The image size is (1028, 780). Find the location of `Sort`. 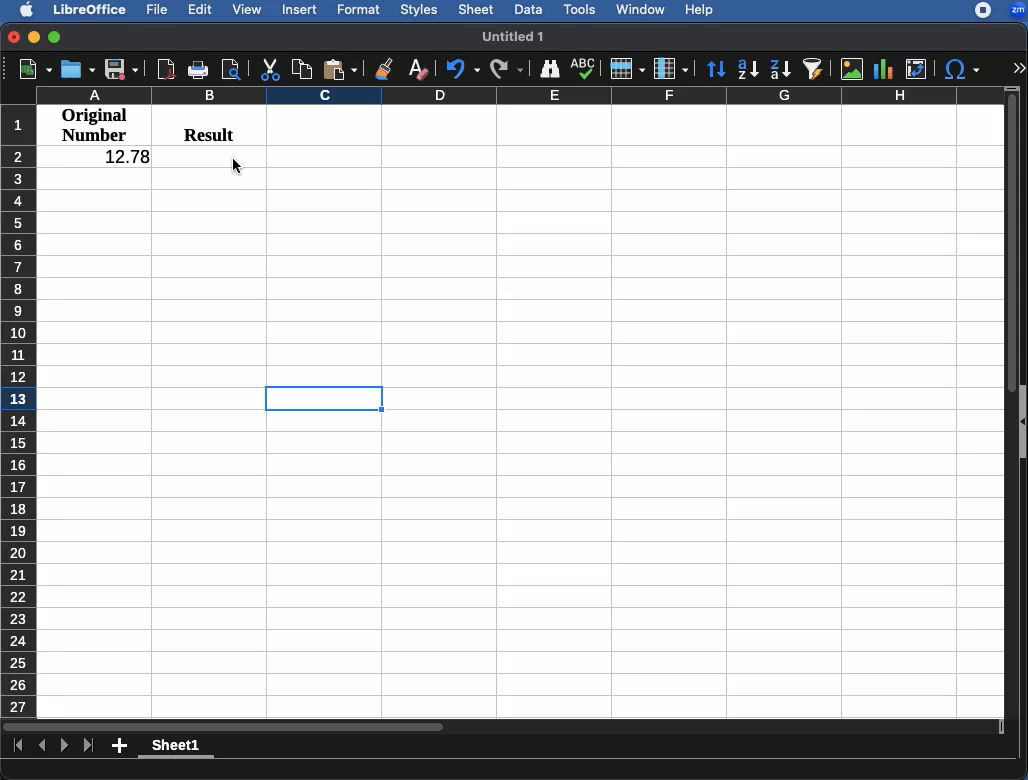

Sort is located at coordinates (714, 70).